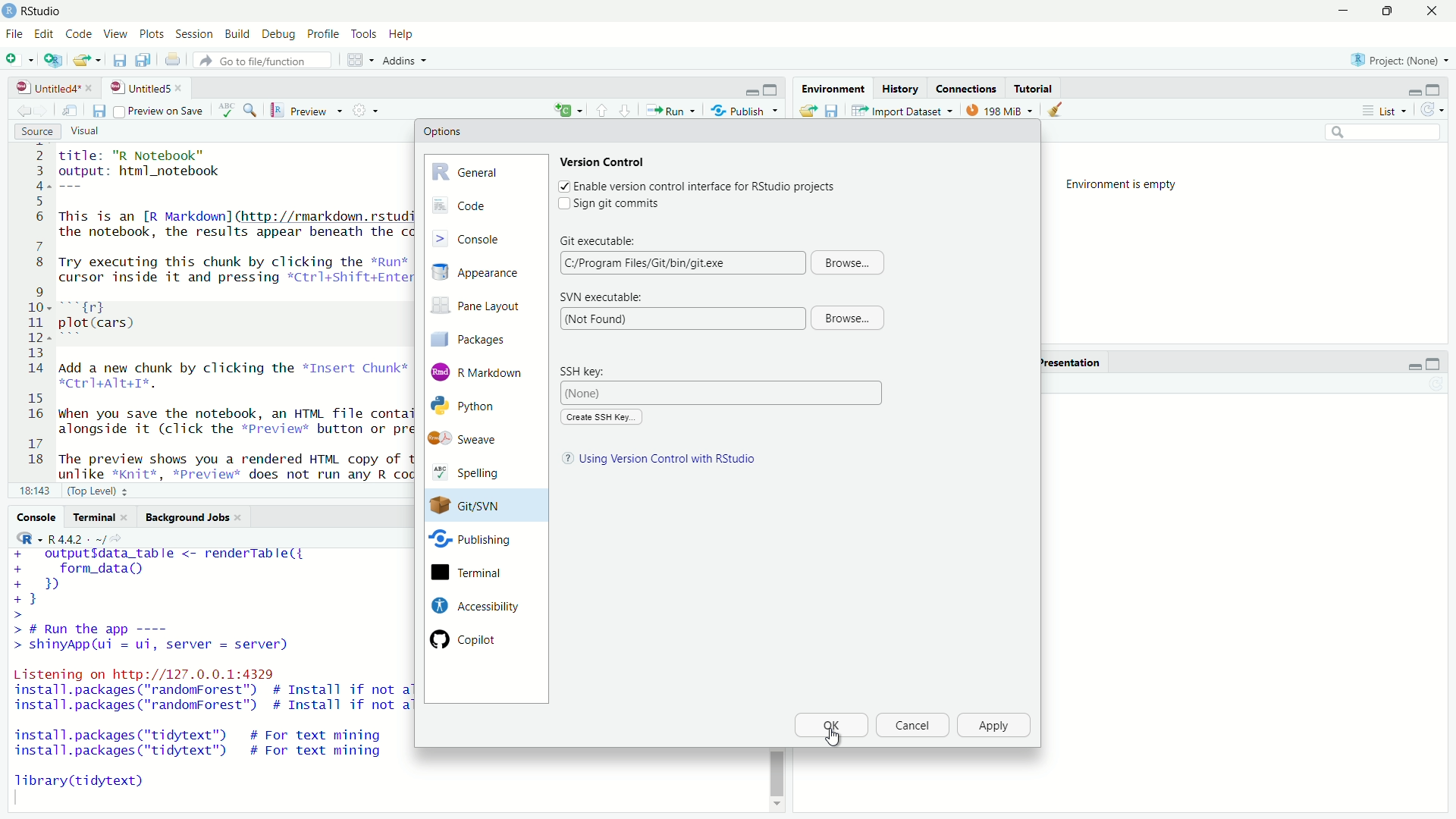  What do you see at coordinates (1000, 109) in the screenshot?
I see `208 ` at bounding box center [1000, 109].